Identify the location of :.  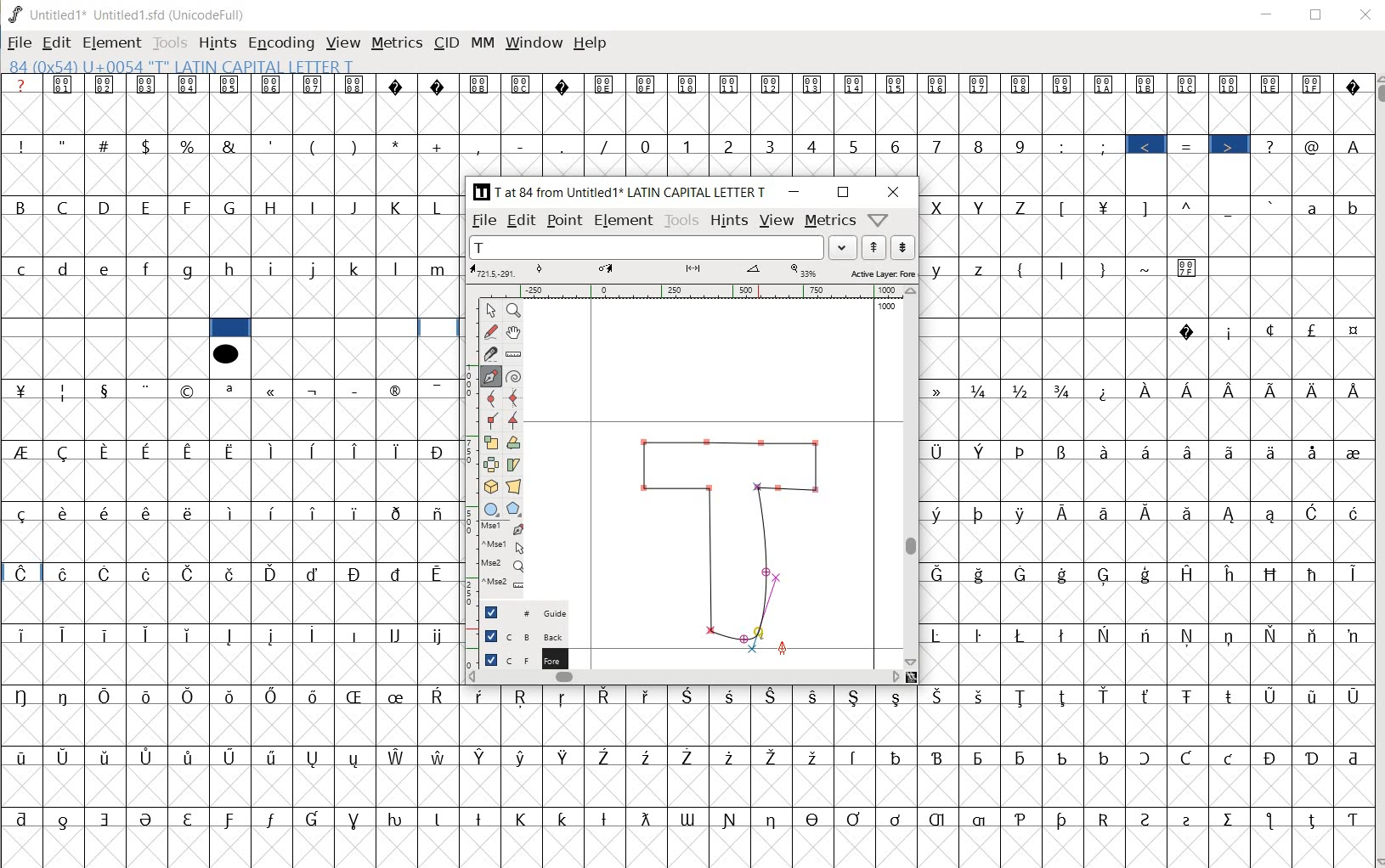
(1063, 145).